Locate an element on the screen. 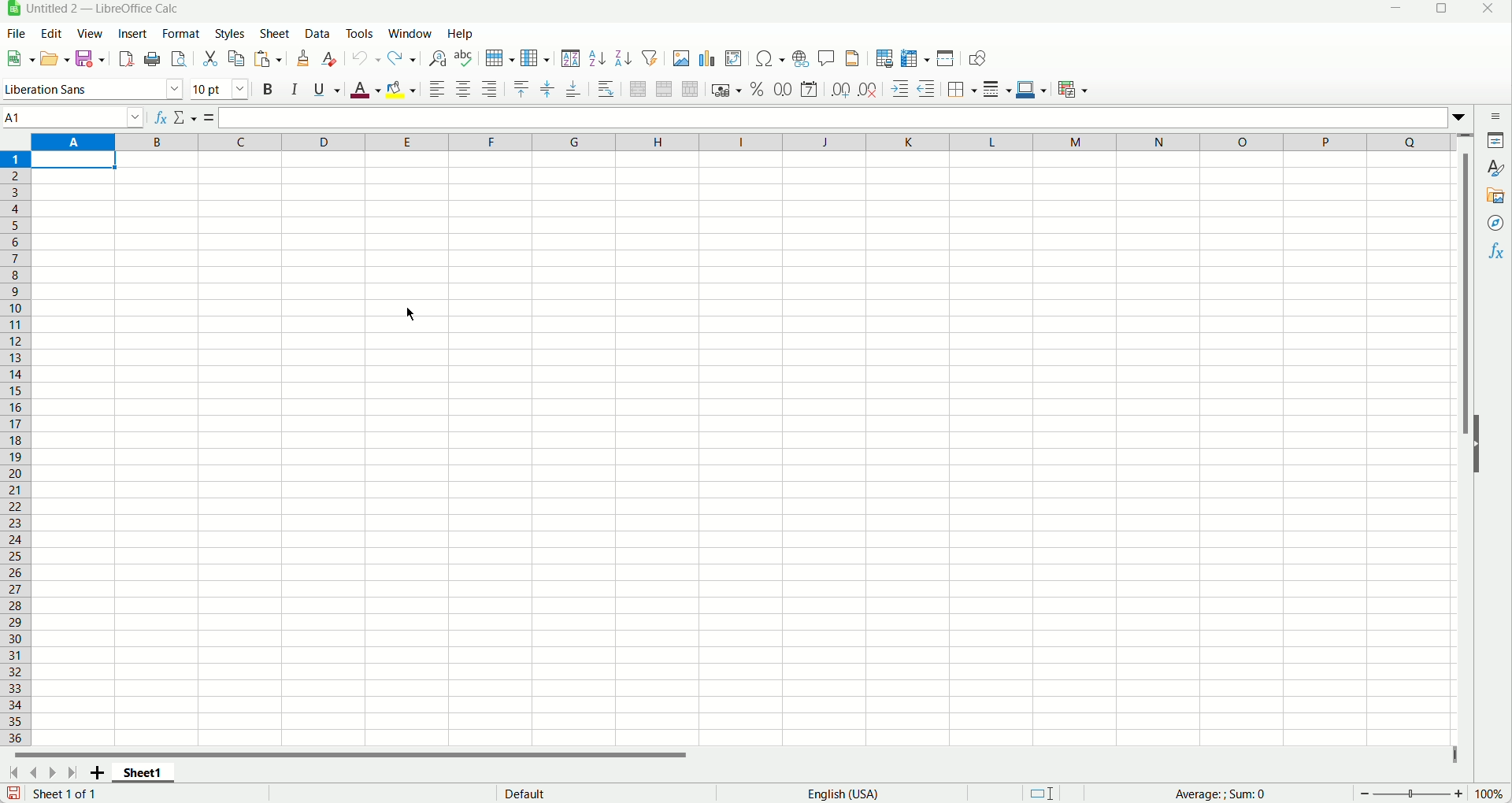 Image resolution: width=1512 pixels, height=803 pixels. Align bottom is located at coordinates (574, 87).